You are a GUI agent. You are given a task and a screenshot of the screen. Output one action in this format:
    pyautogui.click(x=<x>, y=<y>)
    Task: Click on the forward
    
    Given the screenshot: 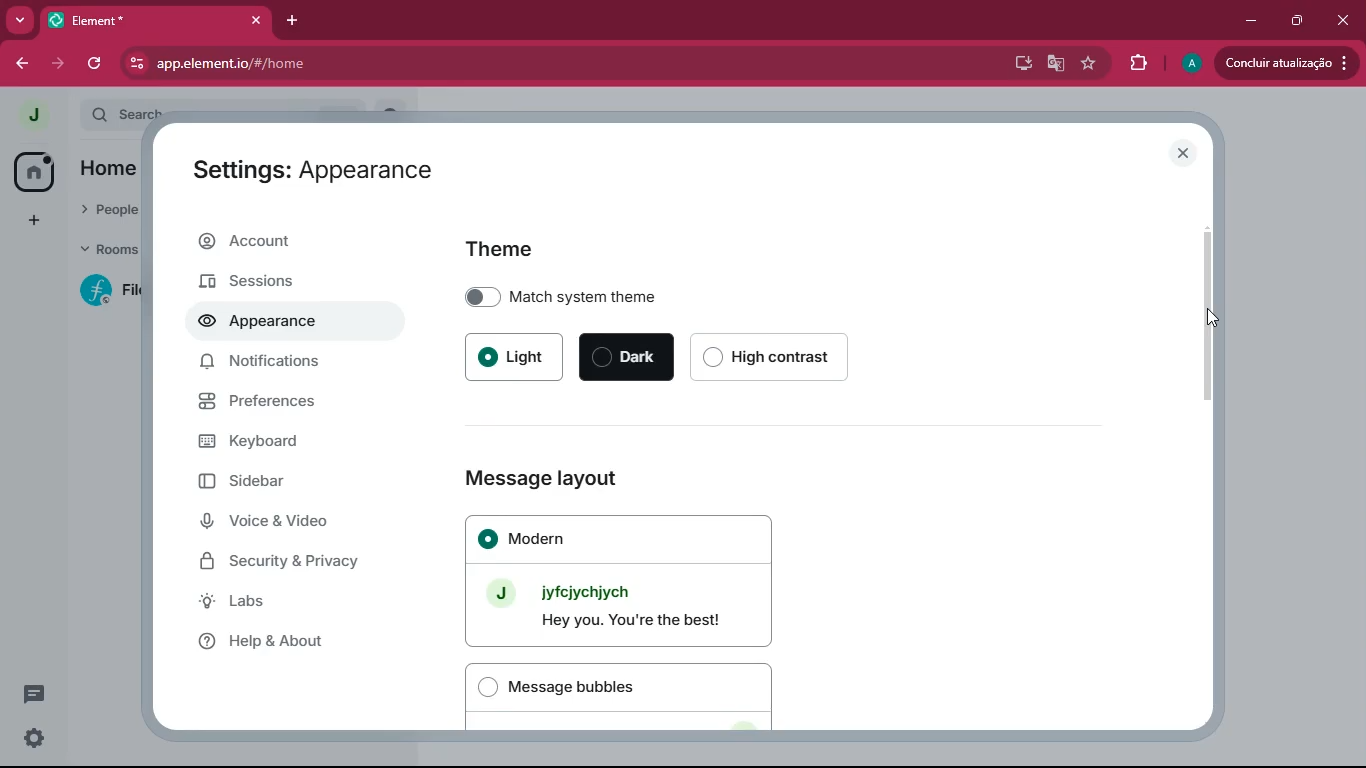 What is the action you would take?
    pyautogui.click(x=58, y=65)
    